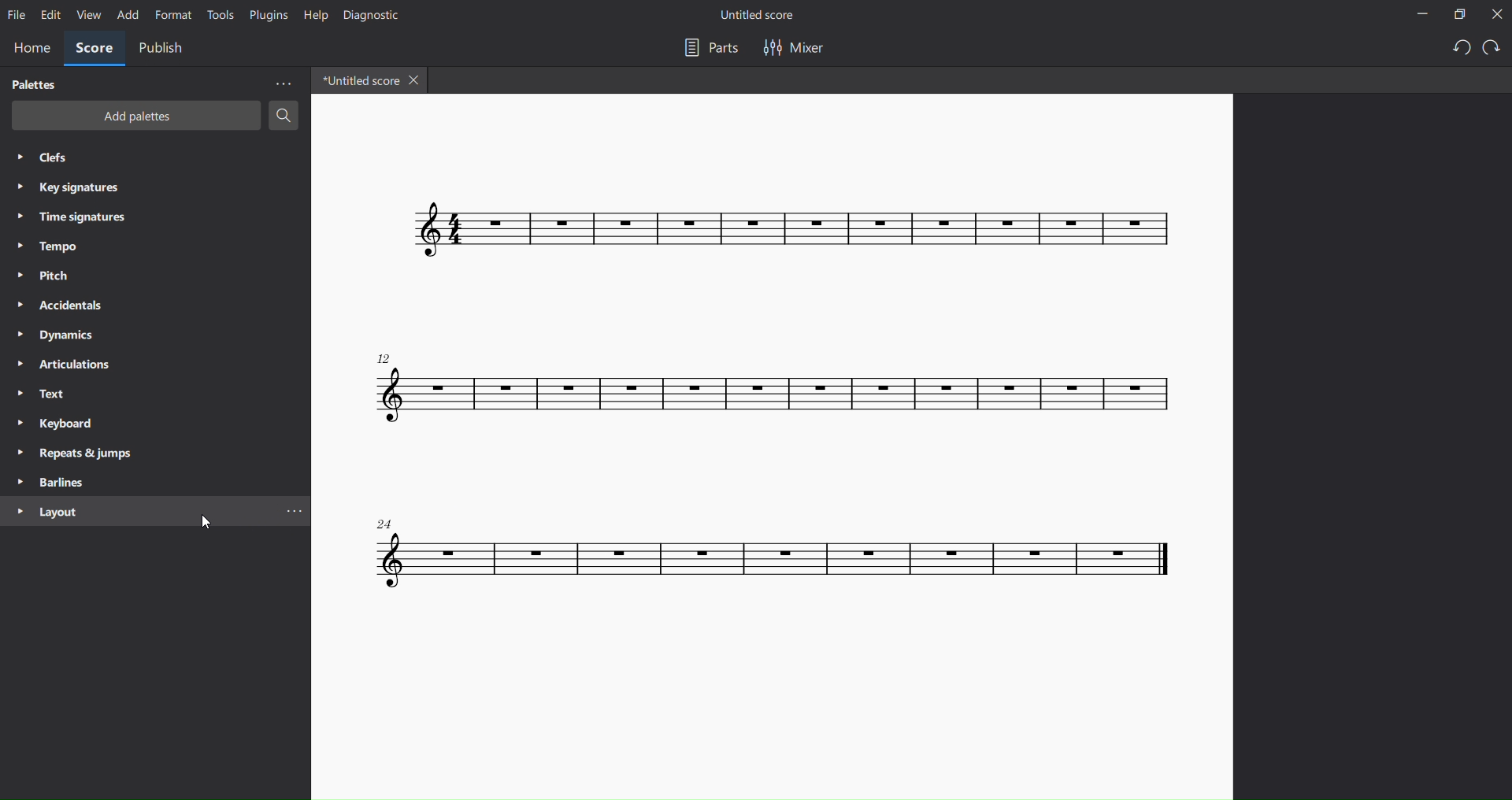  I want to click on tempo, so click(45, 246).